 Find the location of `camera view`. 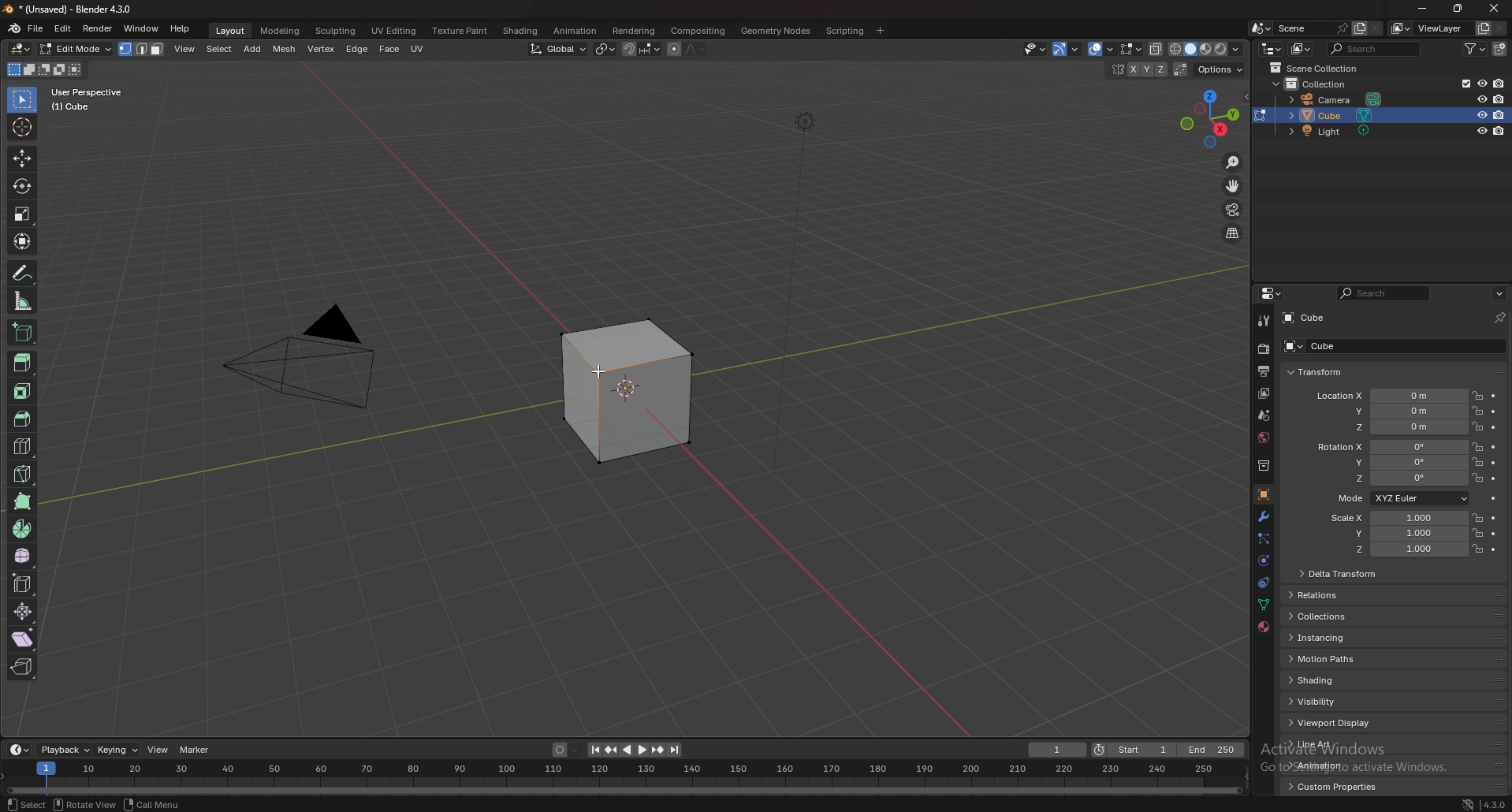

camera view is located at coordinates (1235, 210).